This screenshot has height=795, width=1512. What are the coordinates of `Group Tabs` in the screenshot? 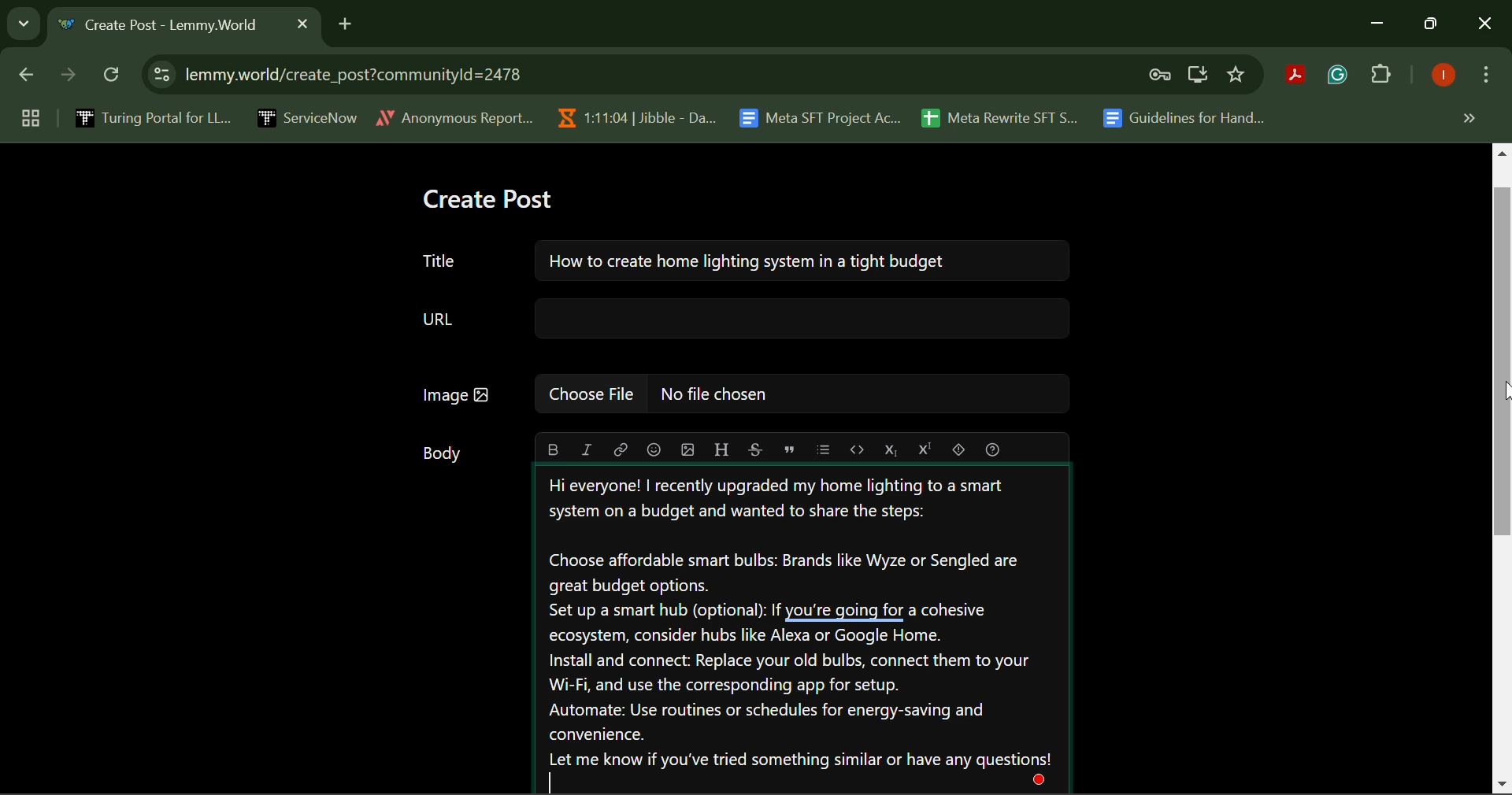 It's located at (30, 117).